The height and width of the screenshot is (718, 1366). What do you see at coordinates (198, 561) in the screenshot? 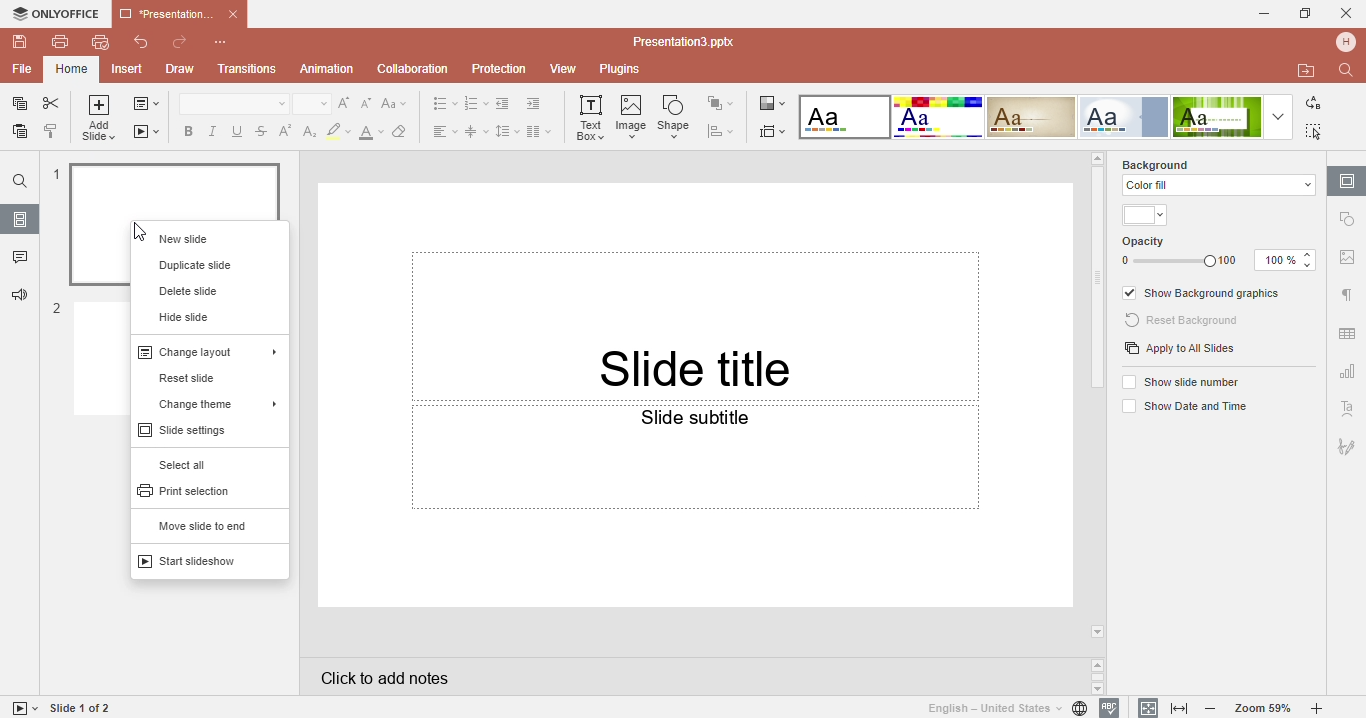
I see `Start slide show` at bounding box center [198, 561].